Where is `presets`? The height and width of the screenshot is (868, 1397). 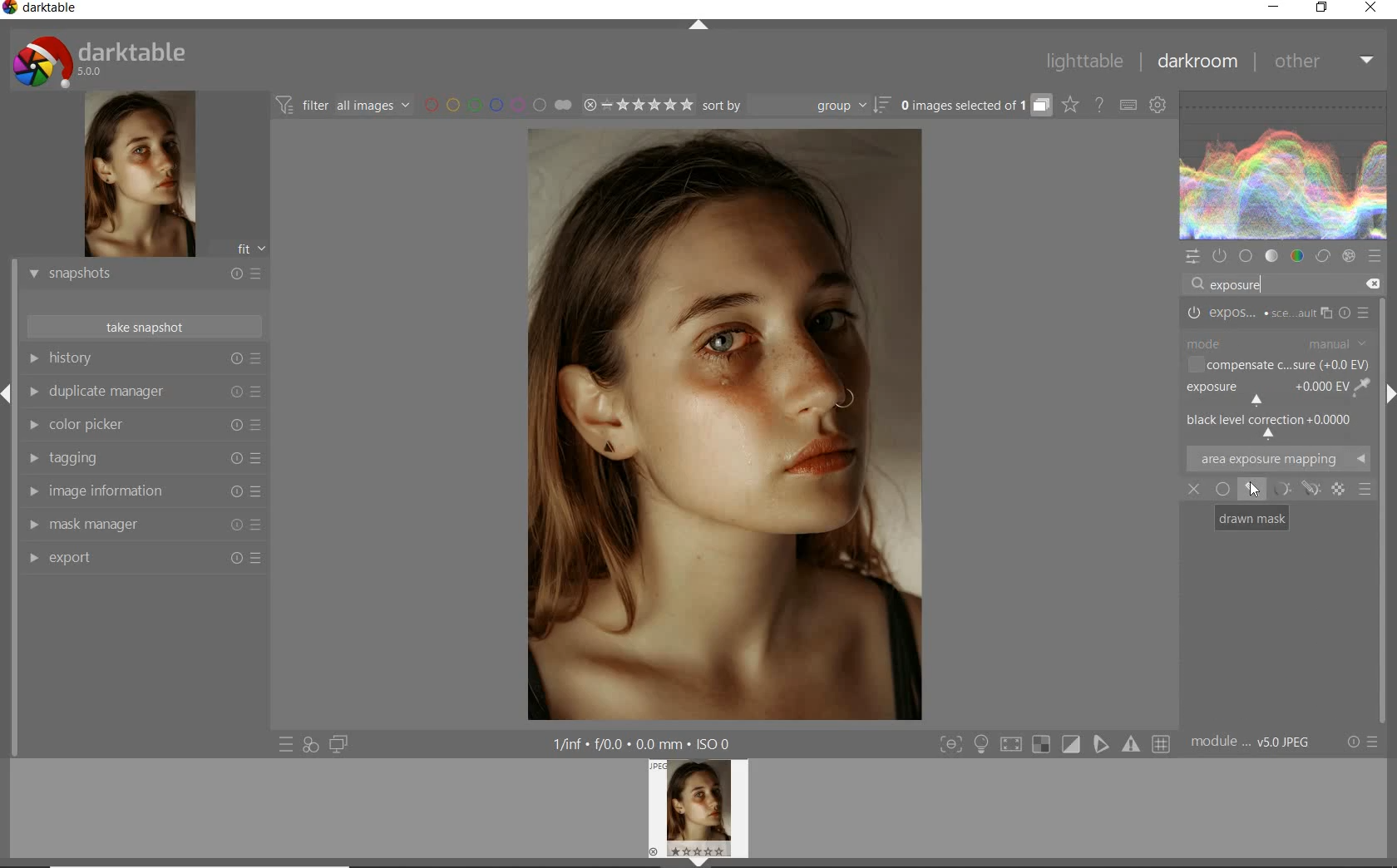
presets is located at coordinates (1375, 256).